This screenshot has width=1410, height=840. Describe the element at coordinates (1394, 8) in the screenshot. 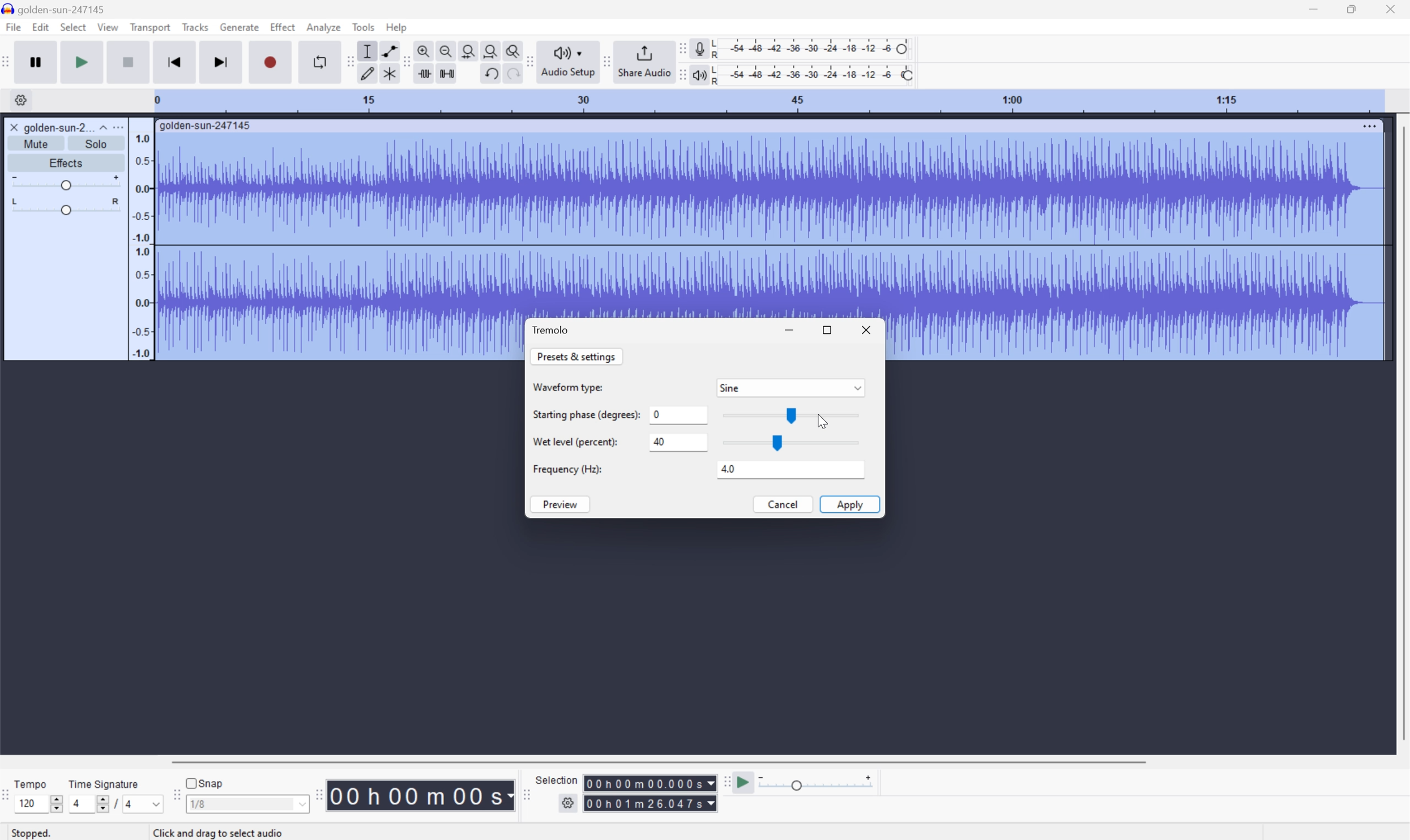

I see `Close` at that location.